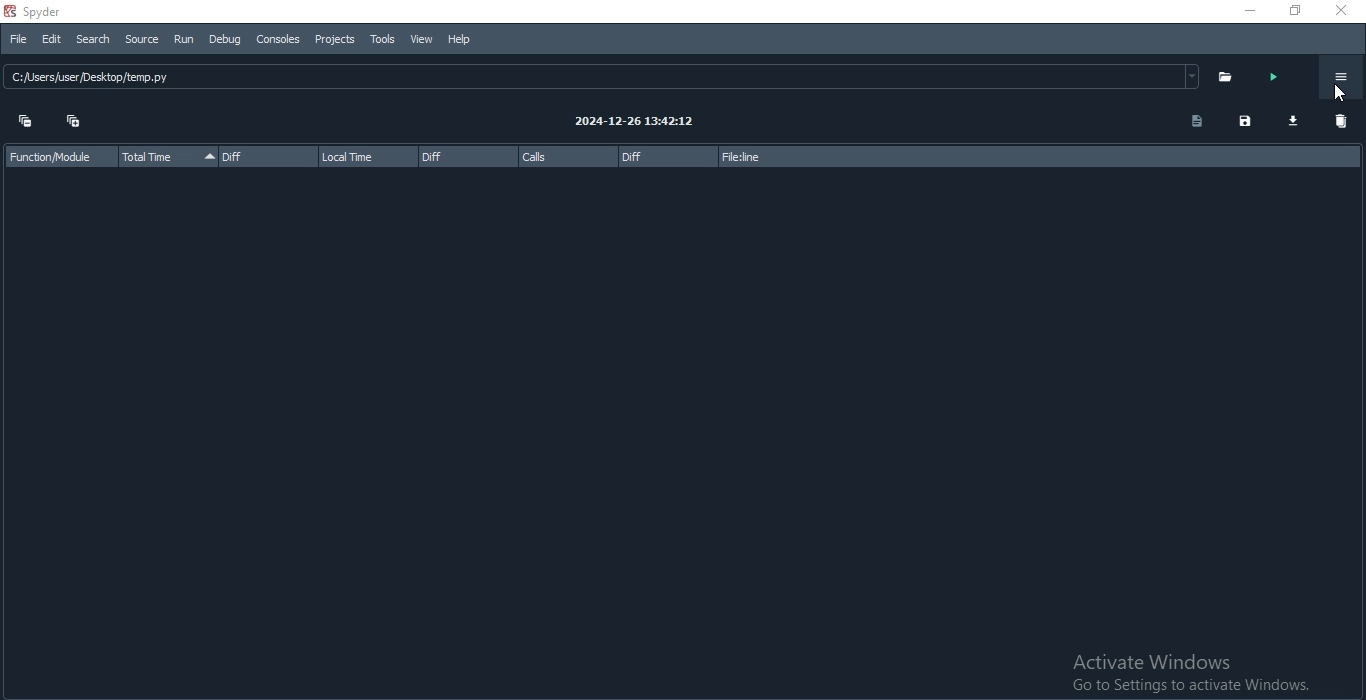 This screenshot has height=700, width=1366. Describe the element at coordinates (1340, 94) in the screenshot. I see `cursor on options` at that location.